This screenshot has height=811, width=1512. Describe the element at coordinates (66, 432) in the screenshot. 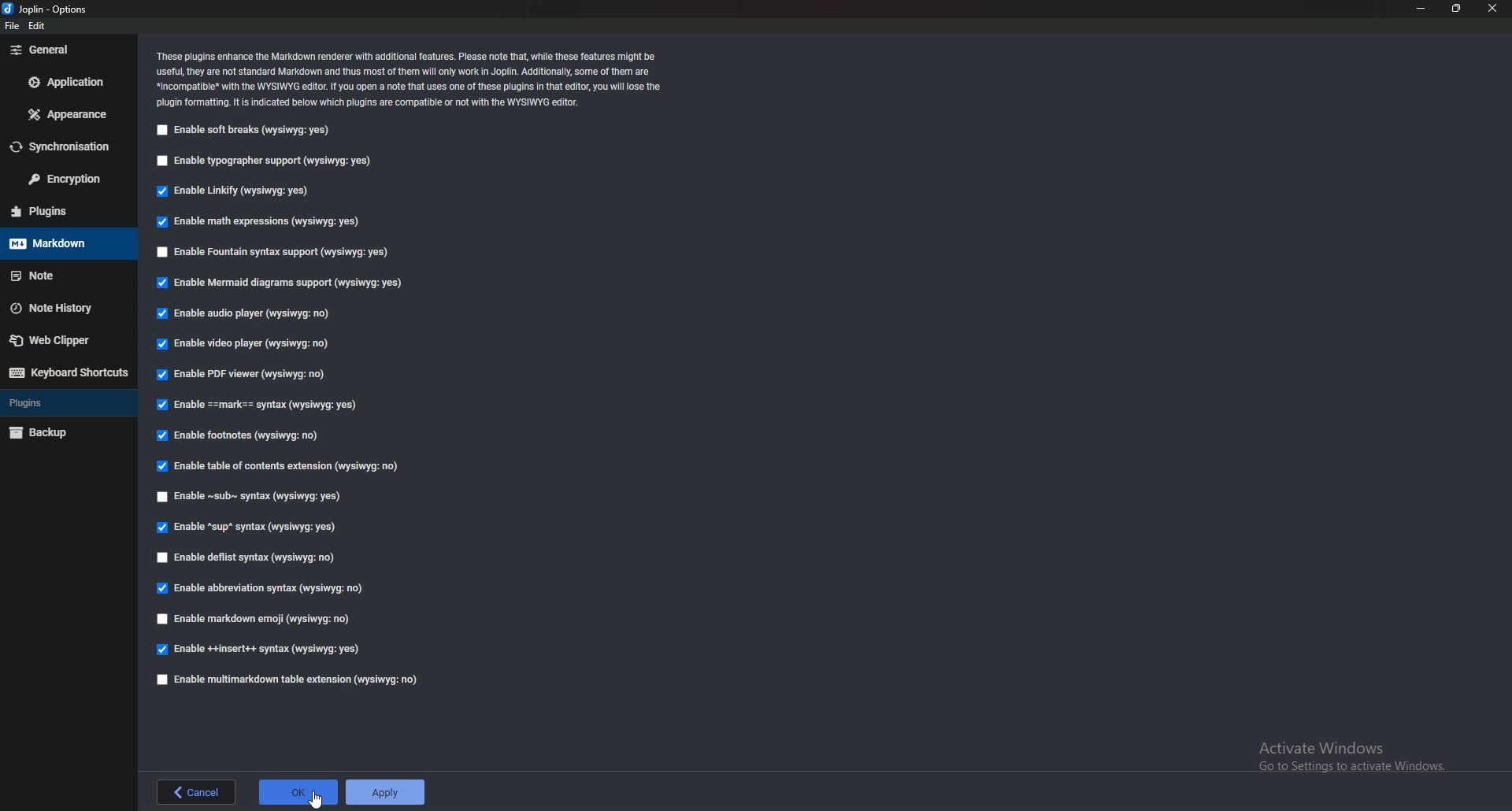

I see `backup` at that location.